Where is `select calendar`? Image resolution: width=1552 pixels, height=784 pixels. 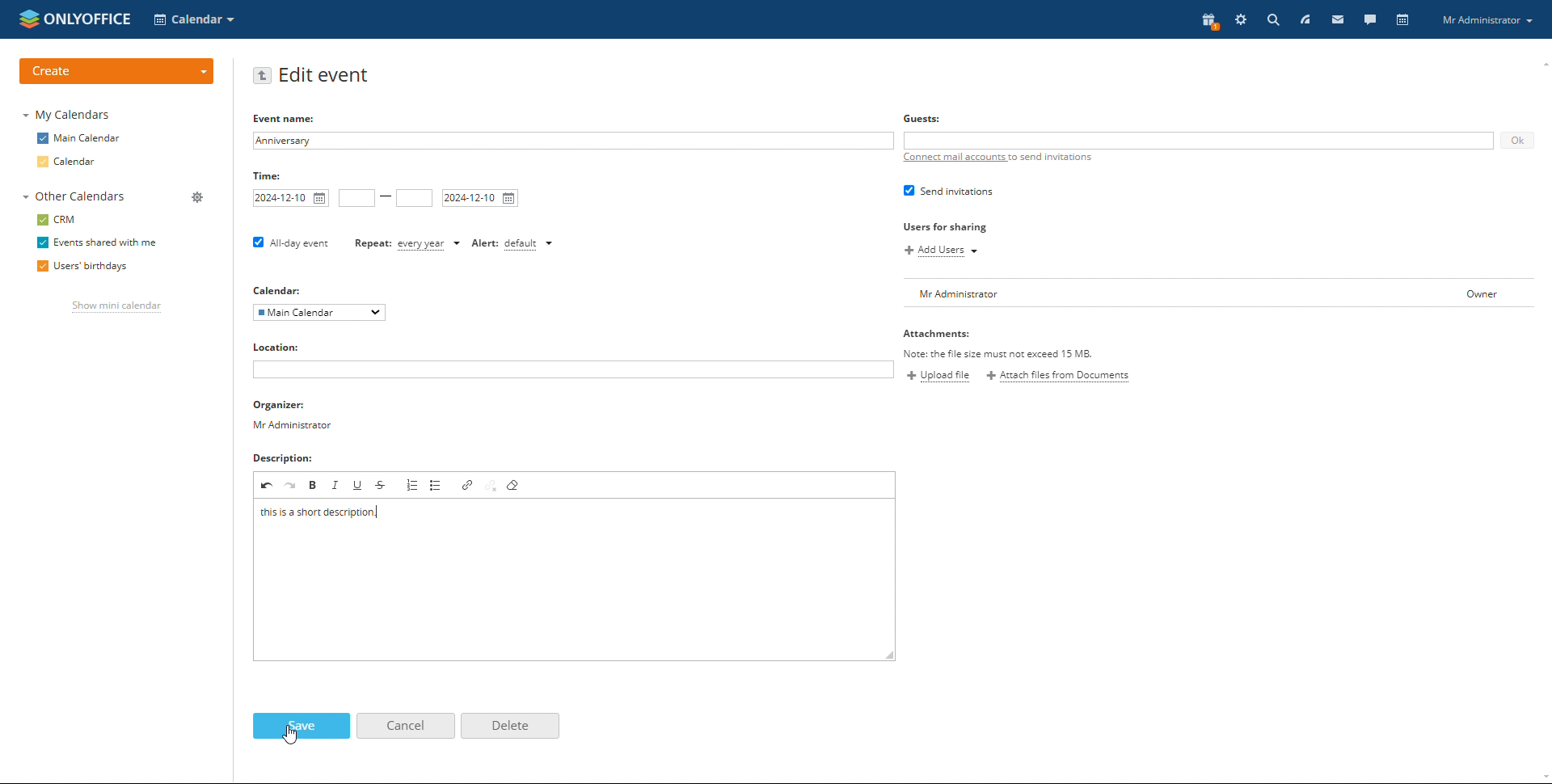
select calendar is located at coordinates (319, 312).